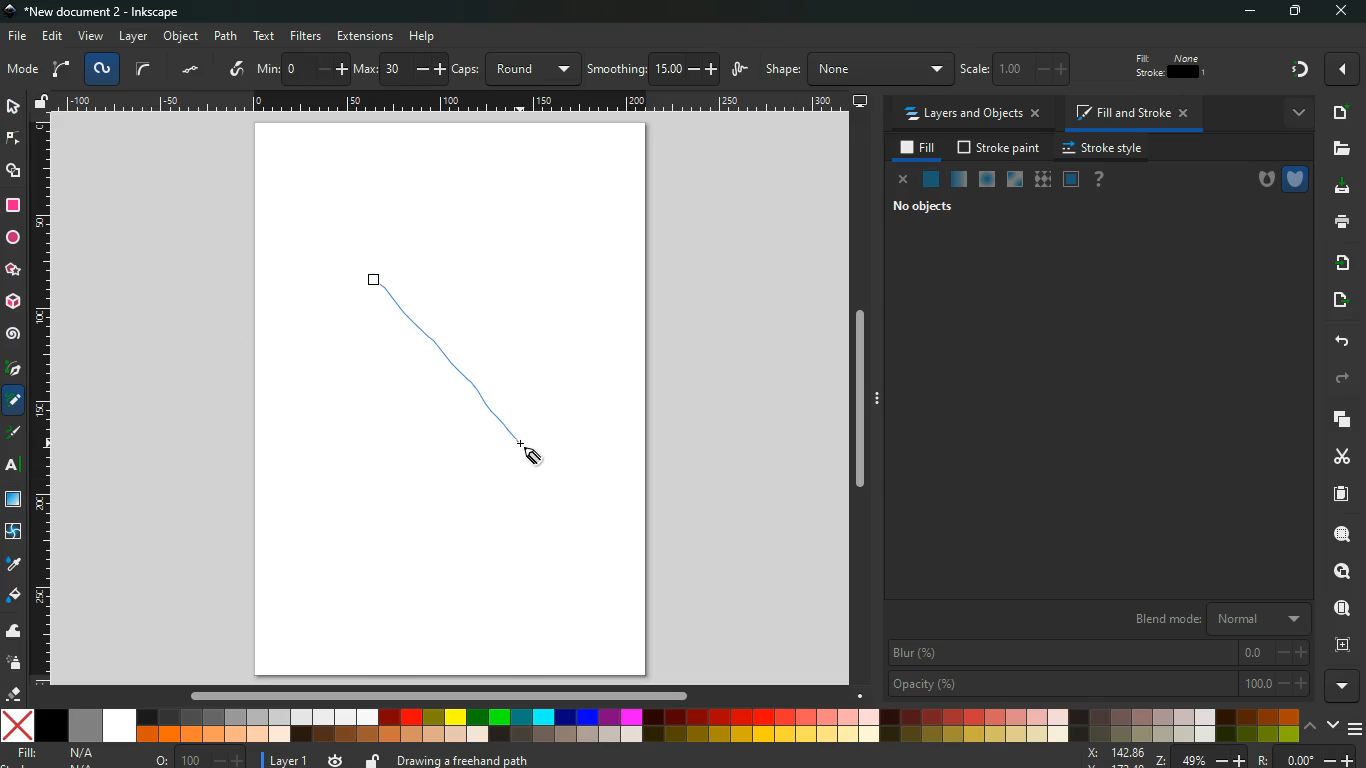 The width and height of the screenshot is (1366, 768). Describe the element at coordinates (16, 108) in the screenshot. I see `select` at that location.